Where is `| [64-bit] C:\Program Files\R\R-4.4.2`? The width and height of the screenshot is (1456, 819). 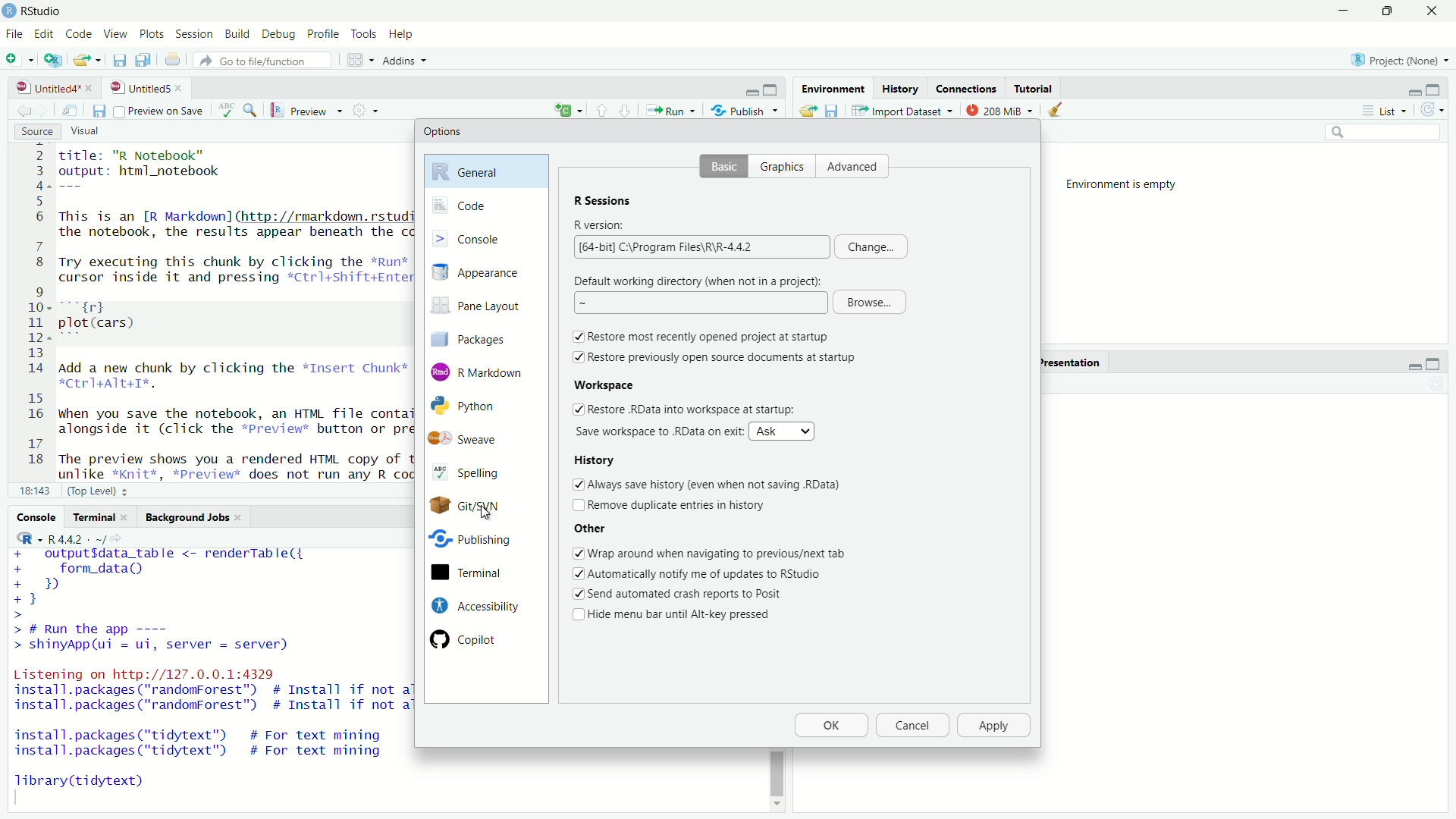
| [64-bit] C:\Program Files\R\R-4.4.2 is located at coordinates (701, 247).